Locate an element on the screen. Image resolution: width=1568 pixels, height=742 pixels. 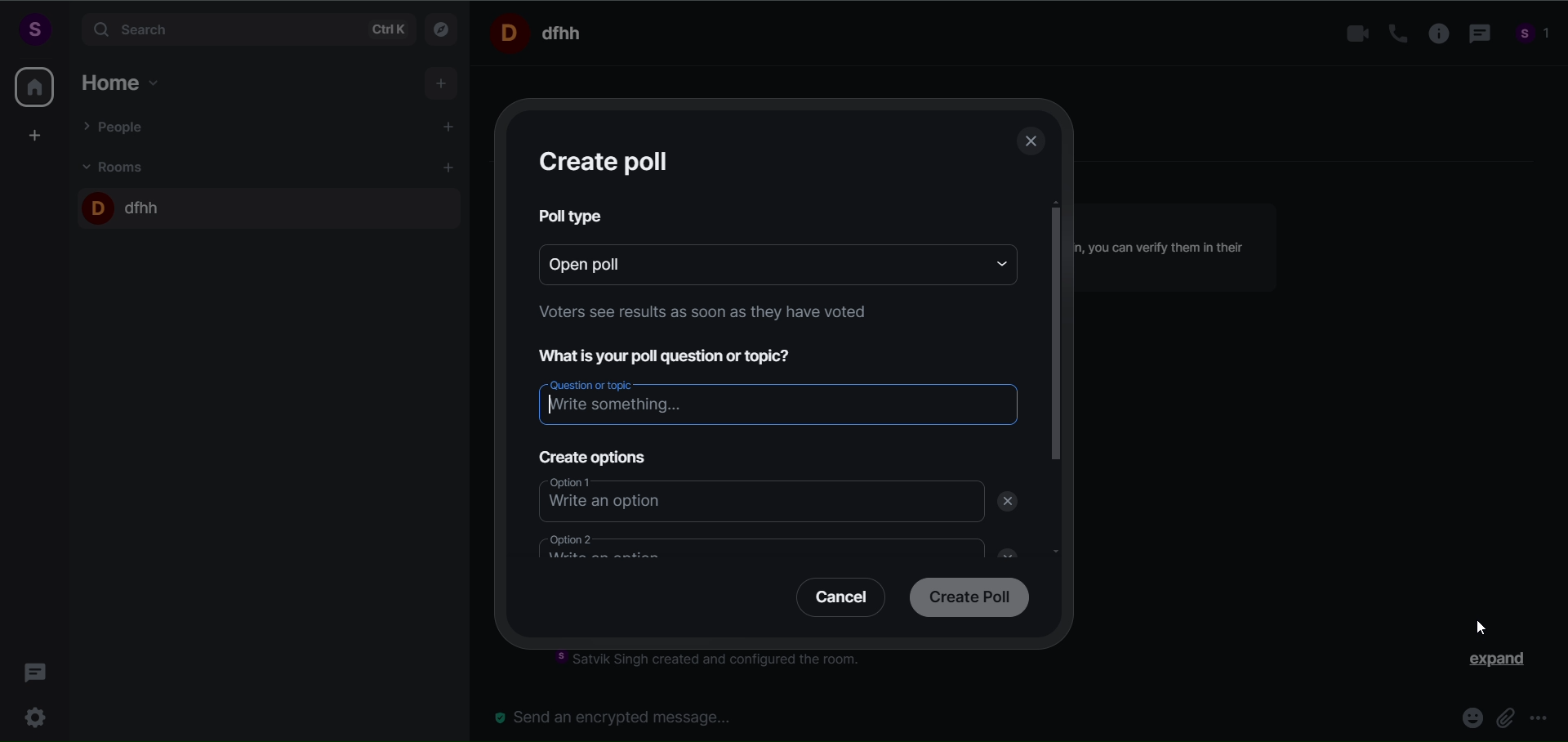
people is located at coordinates (117, 126).